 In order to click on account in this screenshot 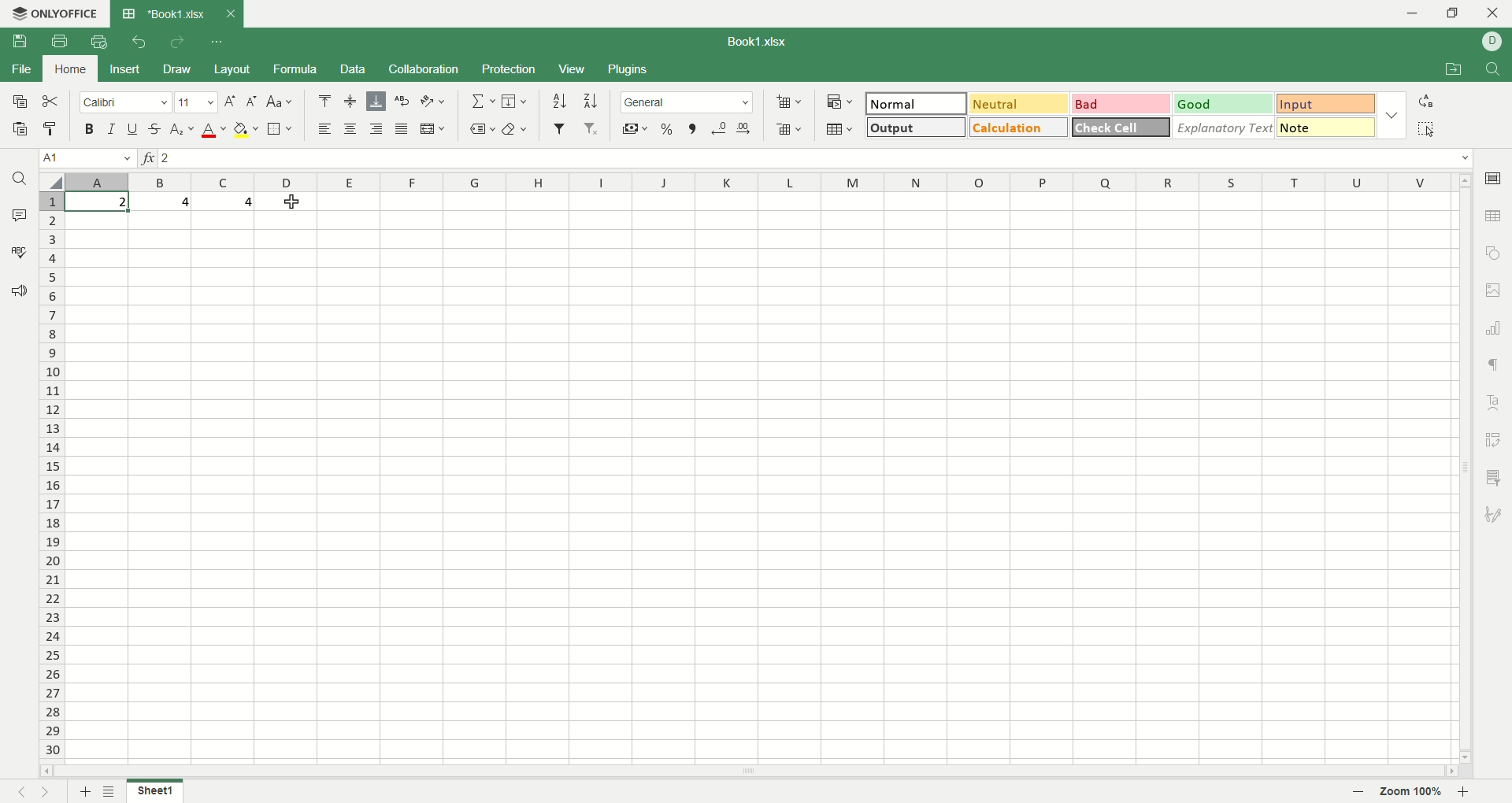, I will do `click(1492, 43)`.